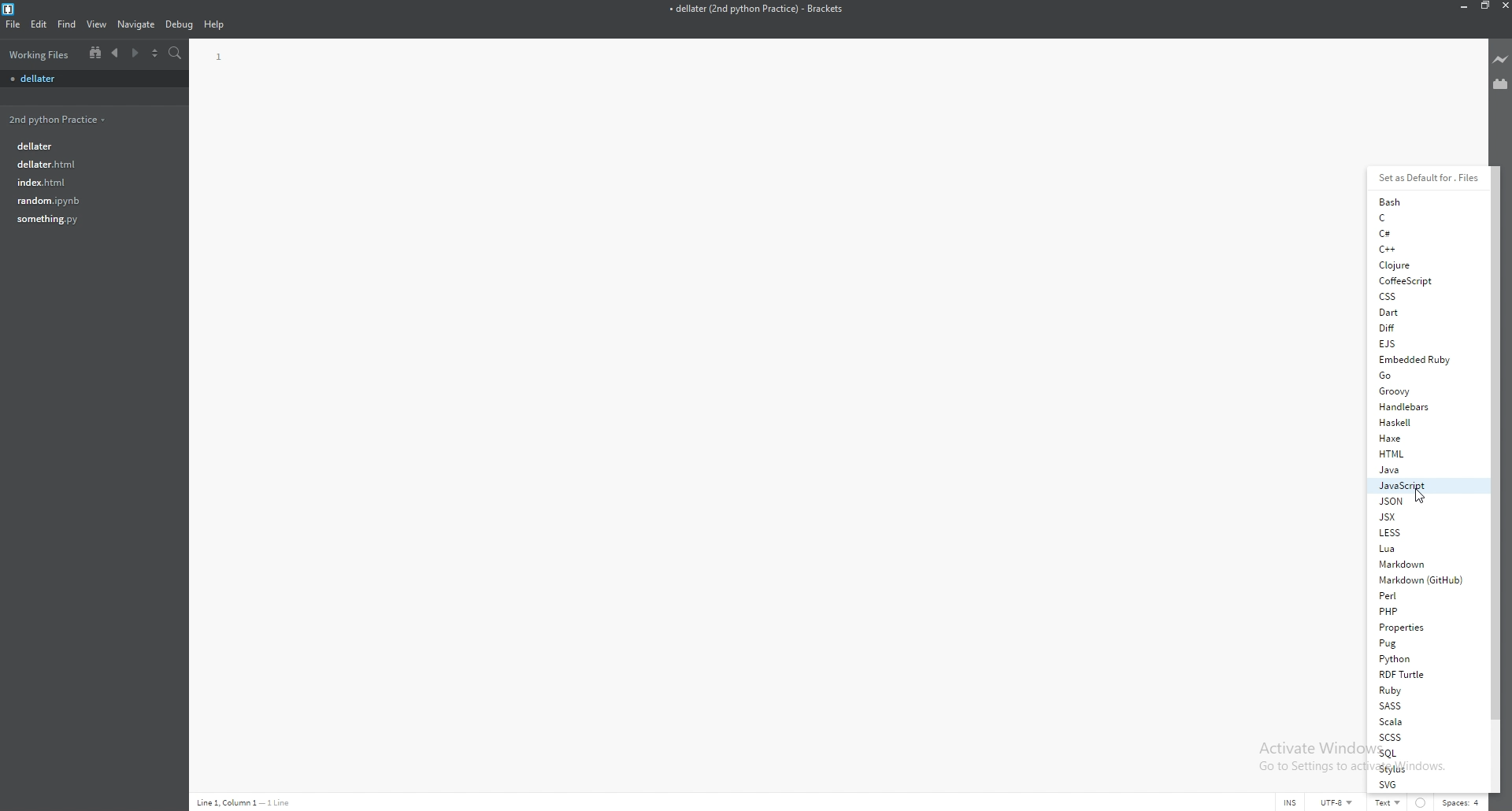  What do you see at coordinates (1417, 721) in the screenshot?
I see `scala` at bounding box center [1417, 721].